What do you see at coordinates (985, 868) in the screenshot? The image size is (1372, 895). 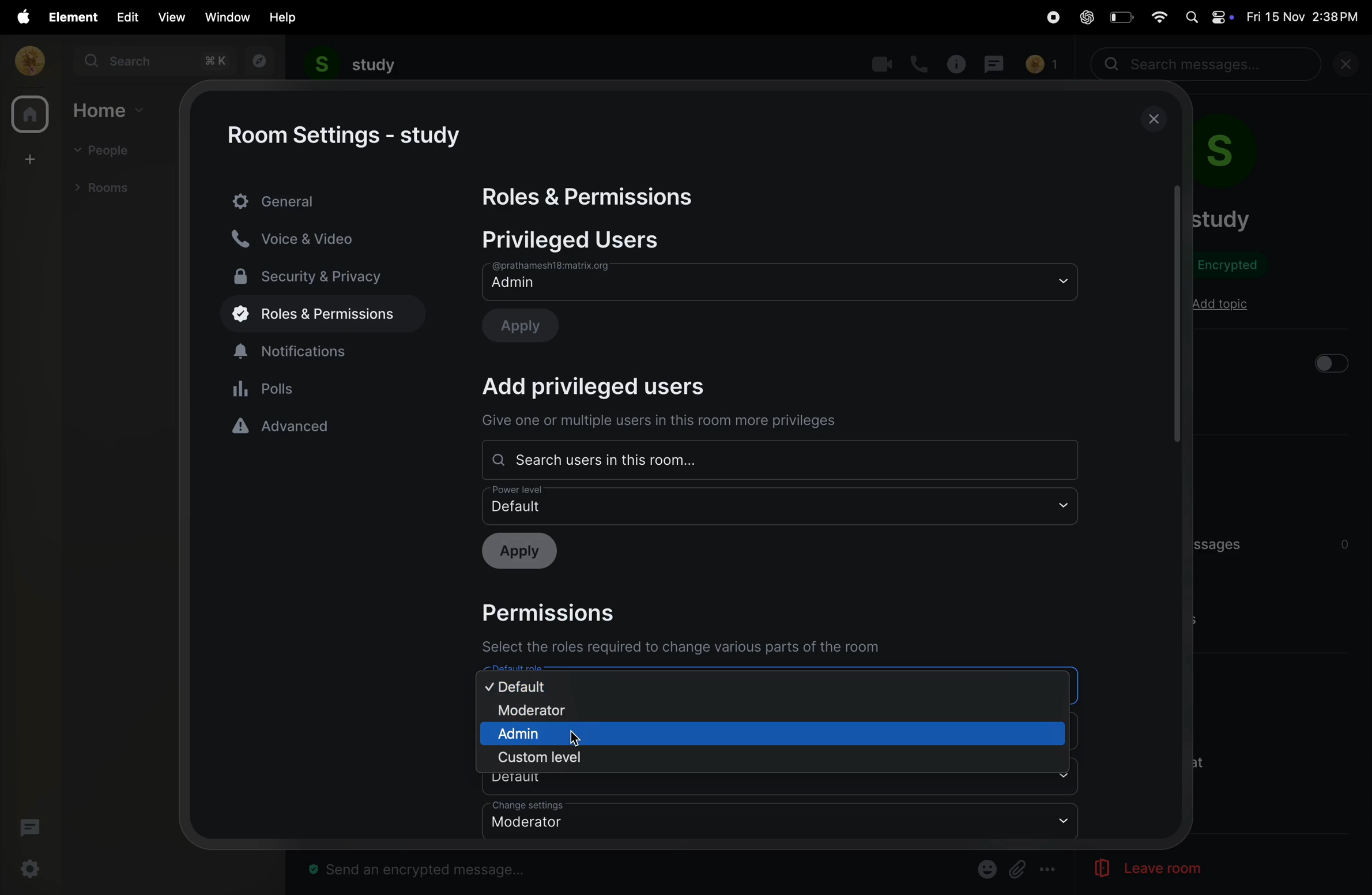 I see `emoji` at bounding box center [985, 868].